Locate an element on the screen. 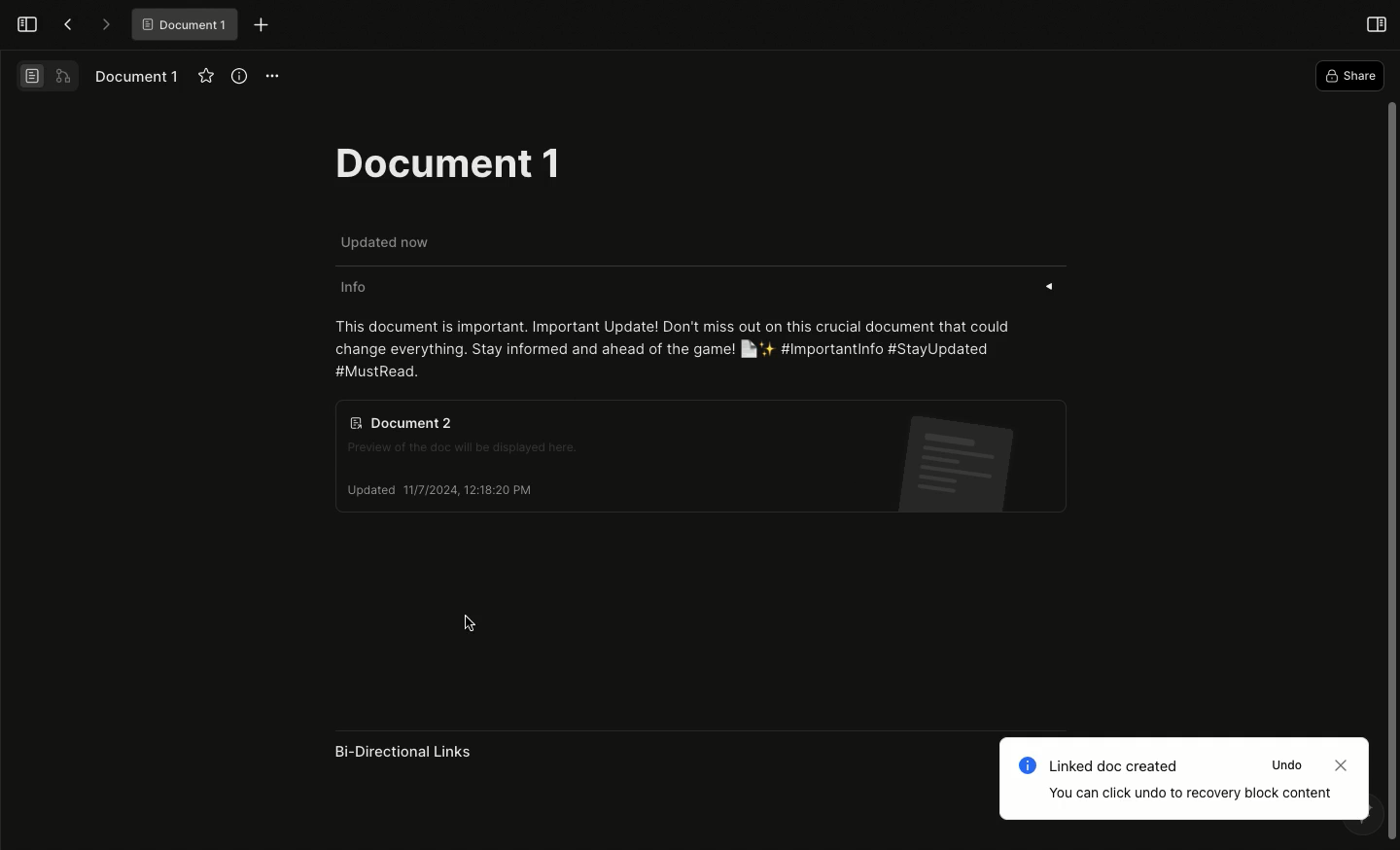 This screenshot has width=1400, height=850. Document 2 is located at coordinates (403, 423).